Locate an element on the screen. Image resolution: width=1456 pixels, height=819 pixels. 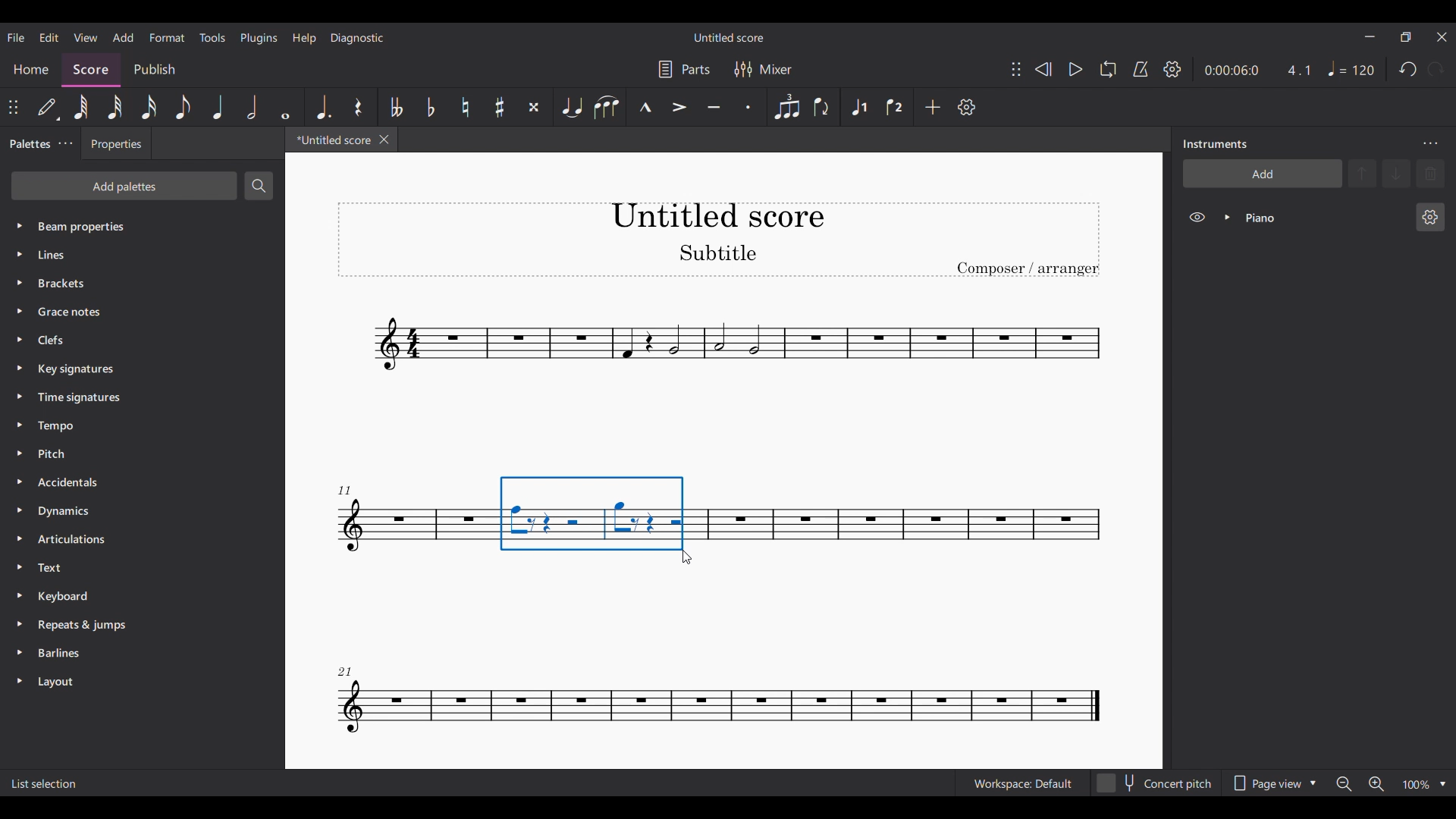
Page view options is located at coordinates (1276, 779).